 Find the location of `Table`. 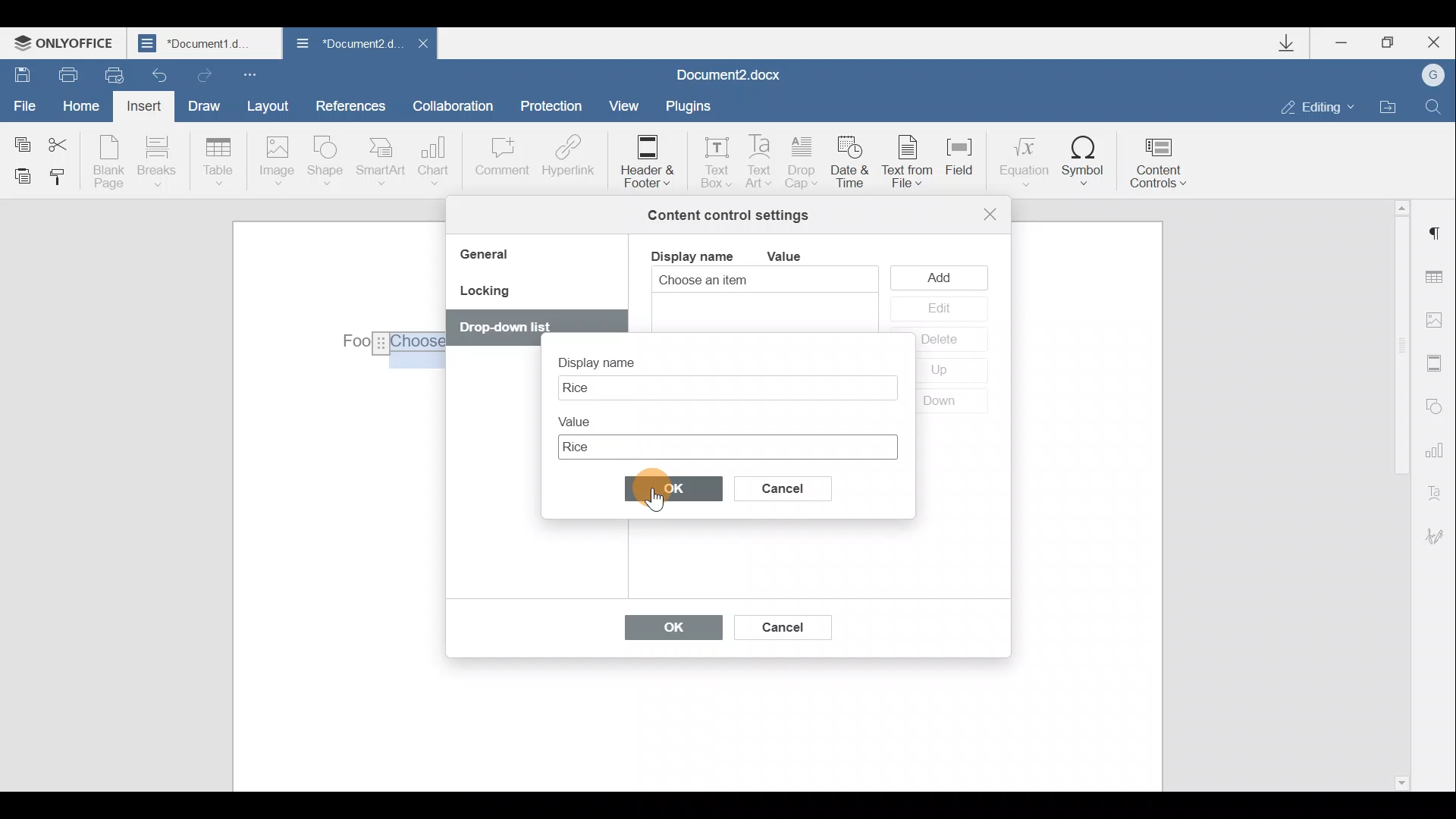

Table is located at coordinates (219, 163).